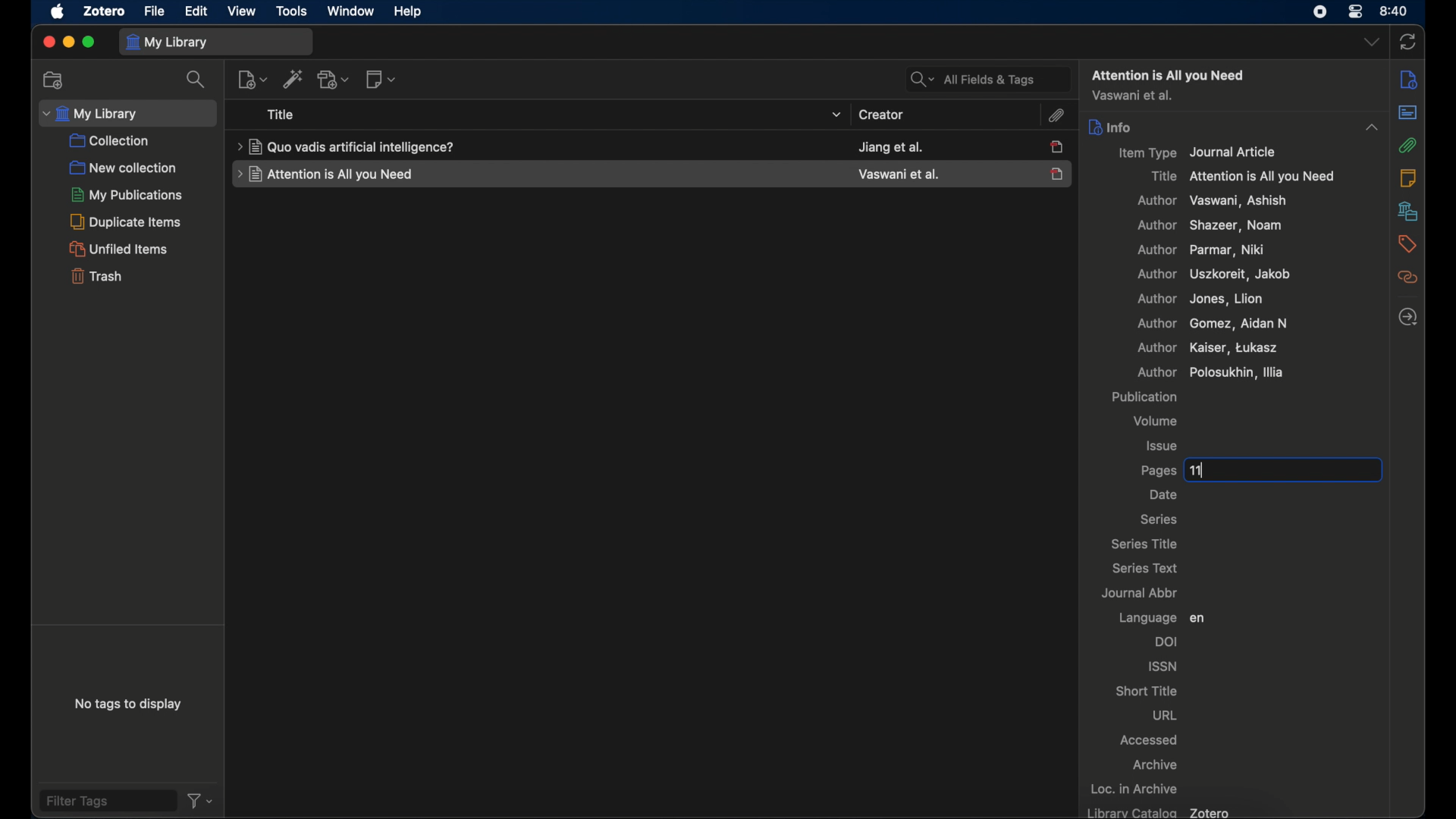 Image resolution: width=1456 pixels, height=819 pixels. What do you see at coordinates (891, 146) in the screenshot?
I see `creator name` at bounding box center [891, 146].